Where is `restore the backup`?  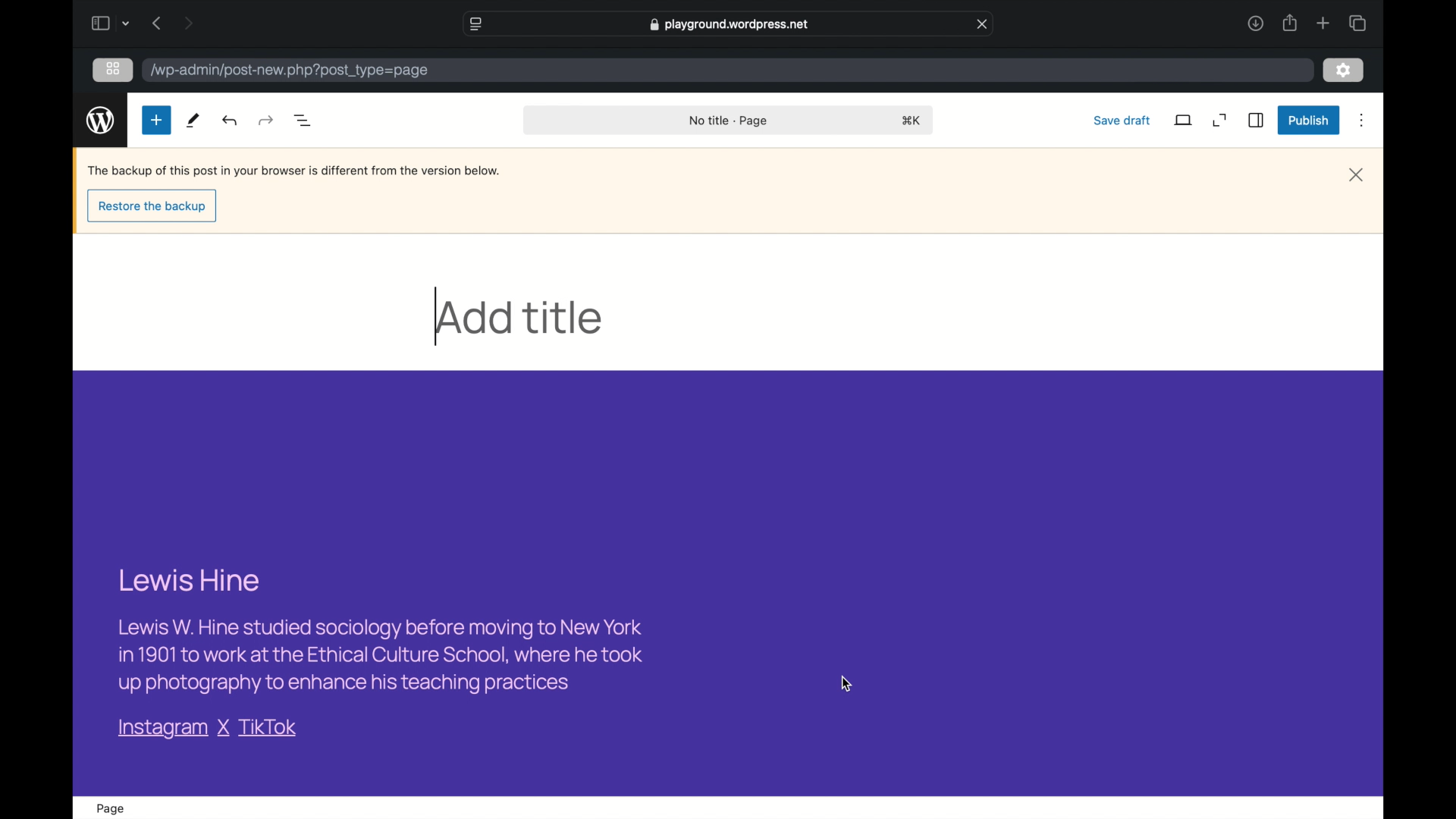
restore the backup is located at coordinates (153, 207).